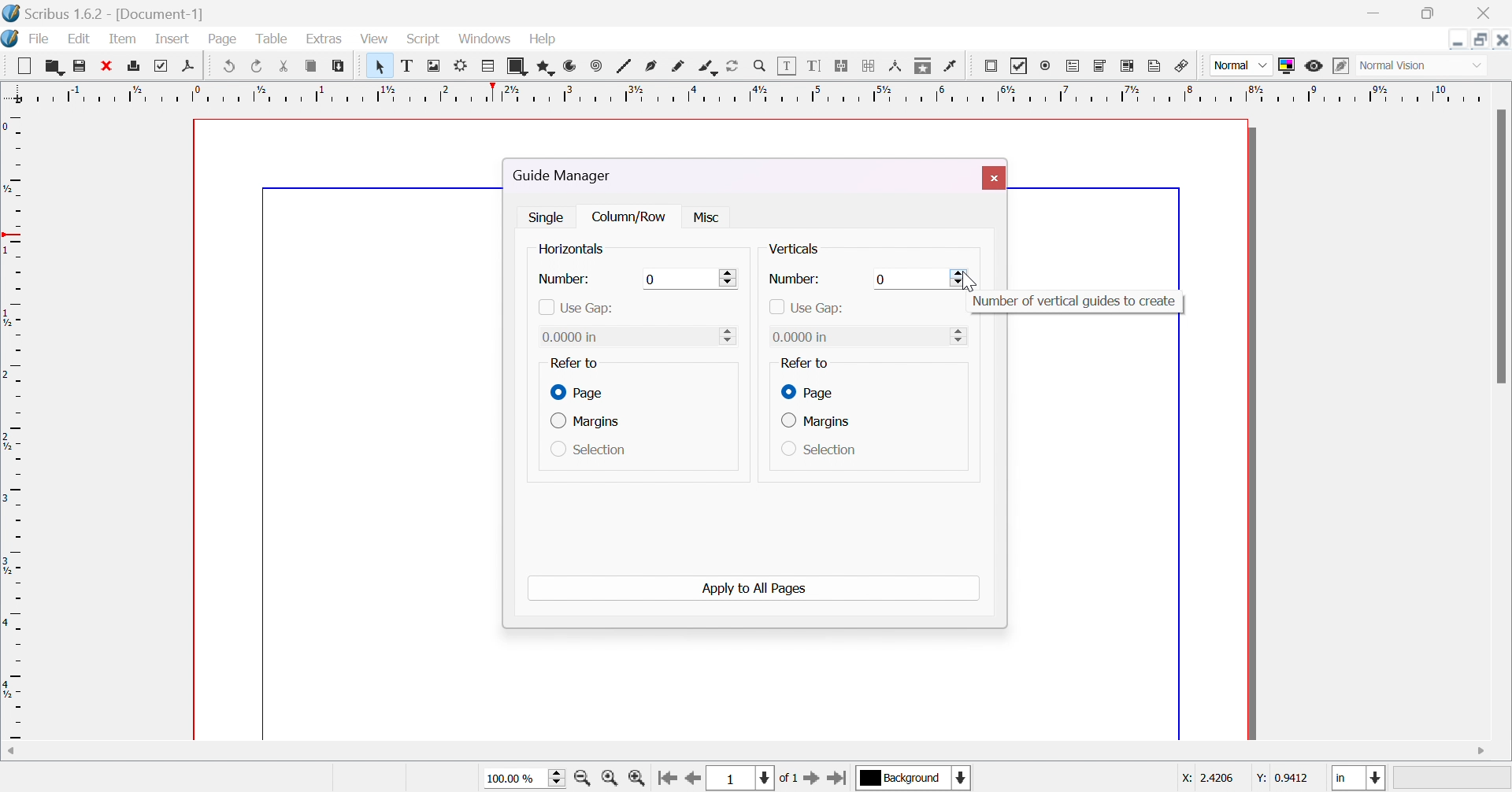  Describe the element at coordinates (490, 68) in the screenshot. I see `table` at that location.